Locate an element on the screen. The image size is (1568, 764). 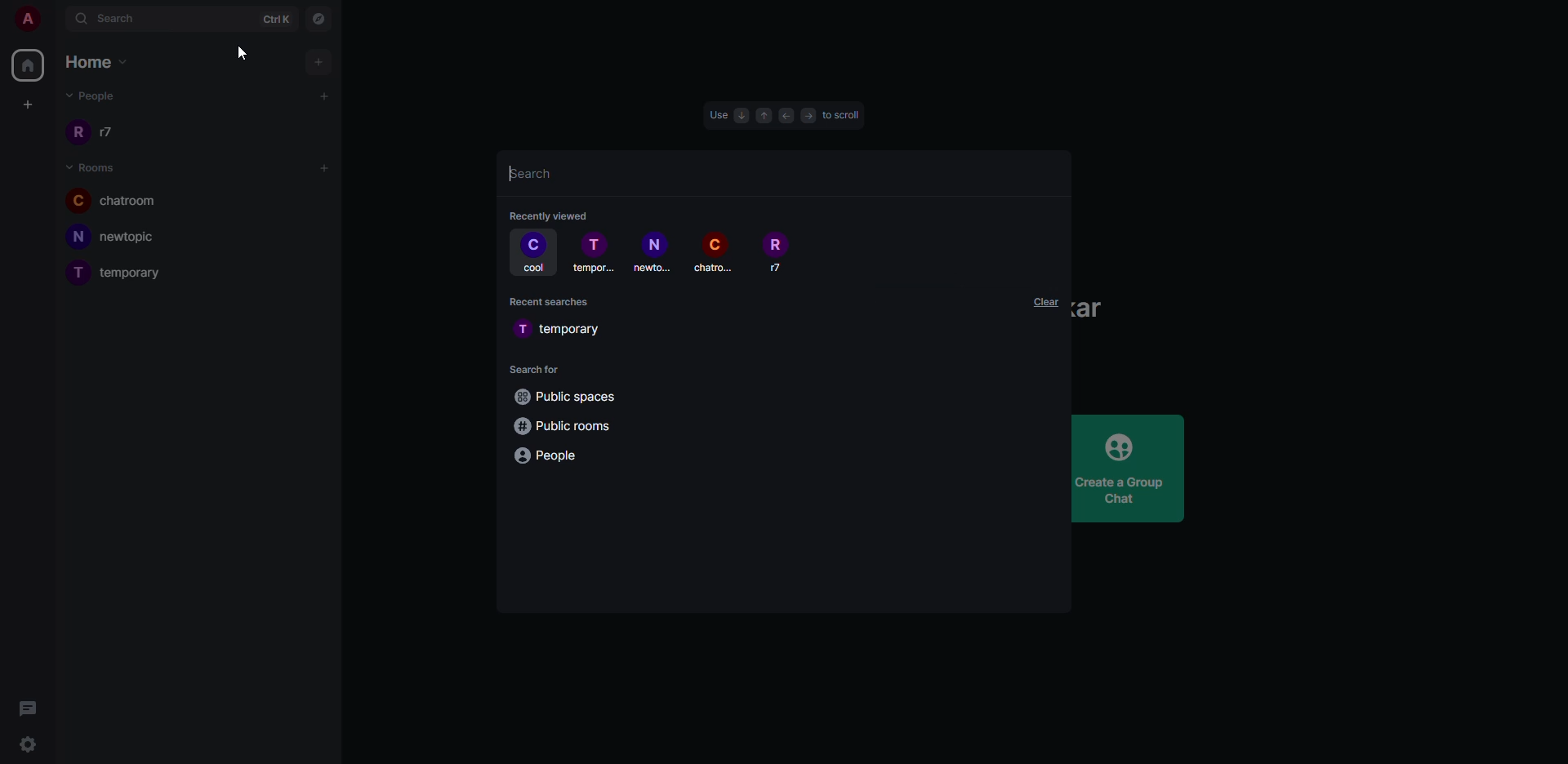
account is located at coordinates (26, 20).